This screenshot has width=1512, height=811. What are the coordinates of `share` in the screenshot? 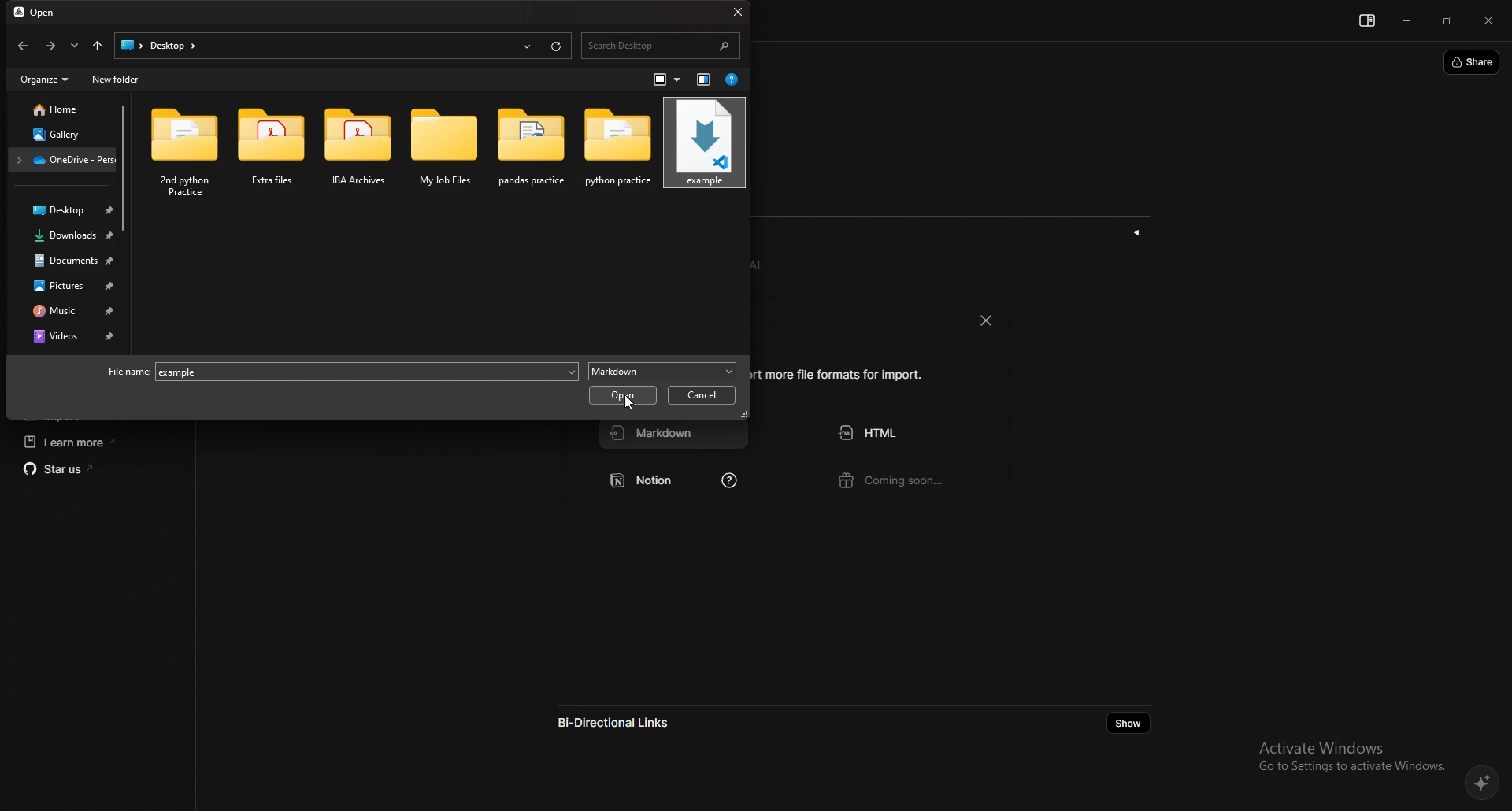 It's located at (1473, 61).